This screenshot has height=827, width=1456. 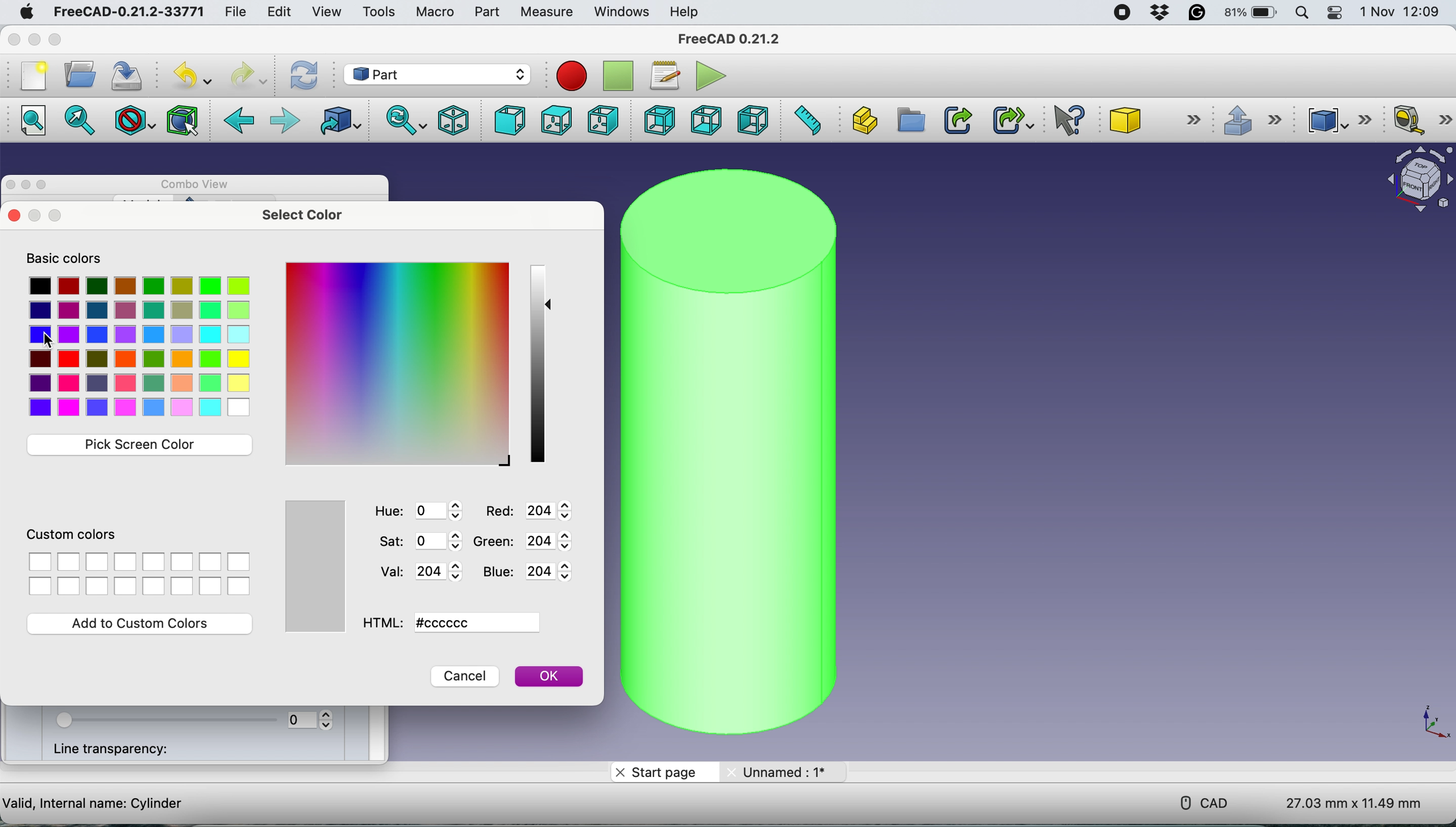 What do you see at coordinates (862, 120) in the screenshot?
I see `create part` at bounding box center [862, 120].